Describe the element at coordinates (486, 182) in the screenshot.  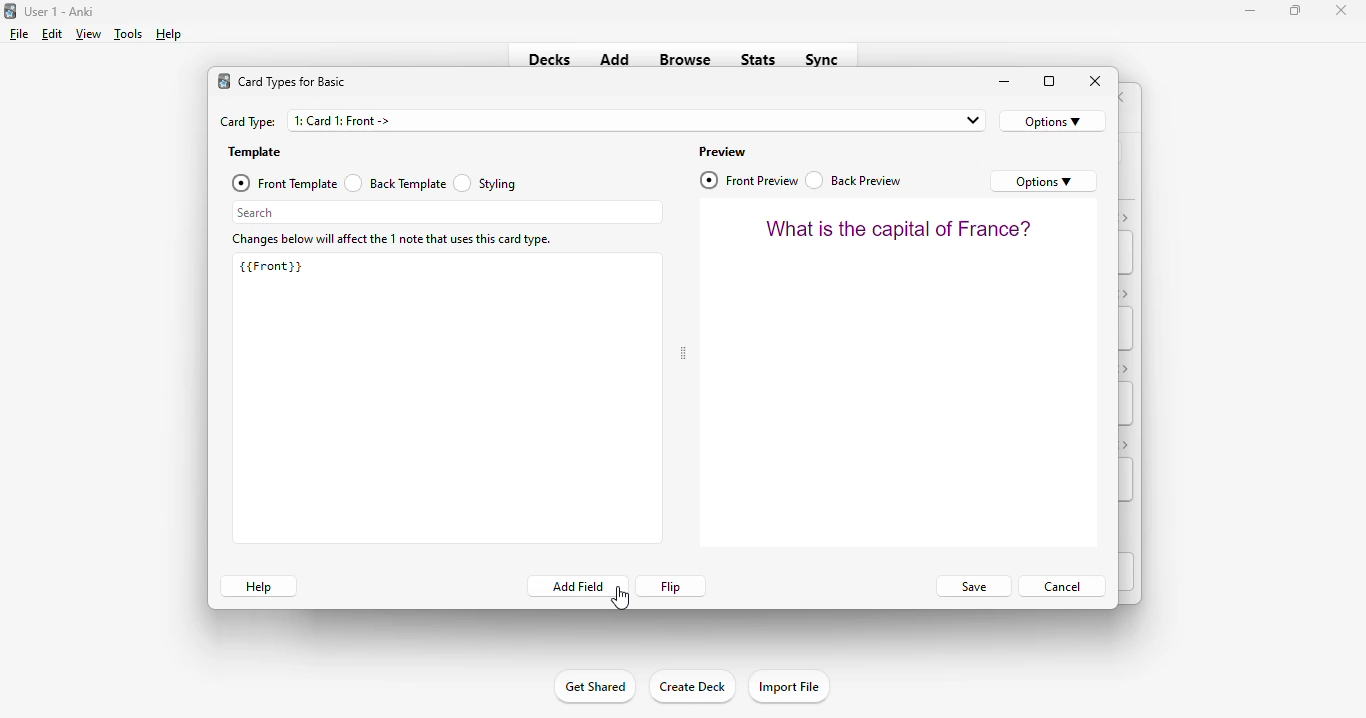
I see `styling` at that location.